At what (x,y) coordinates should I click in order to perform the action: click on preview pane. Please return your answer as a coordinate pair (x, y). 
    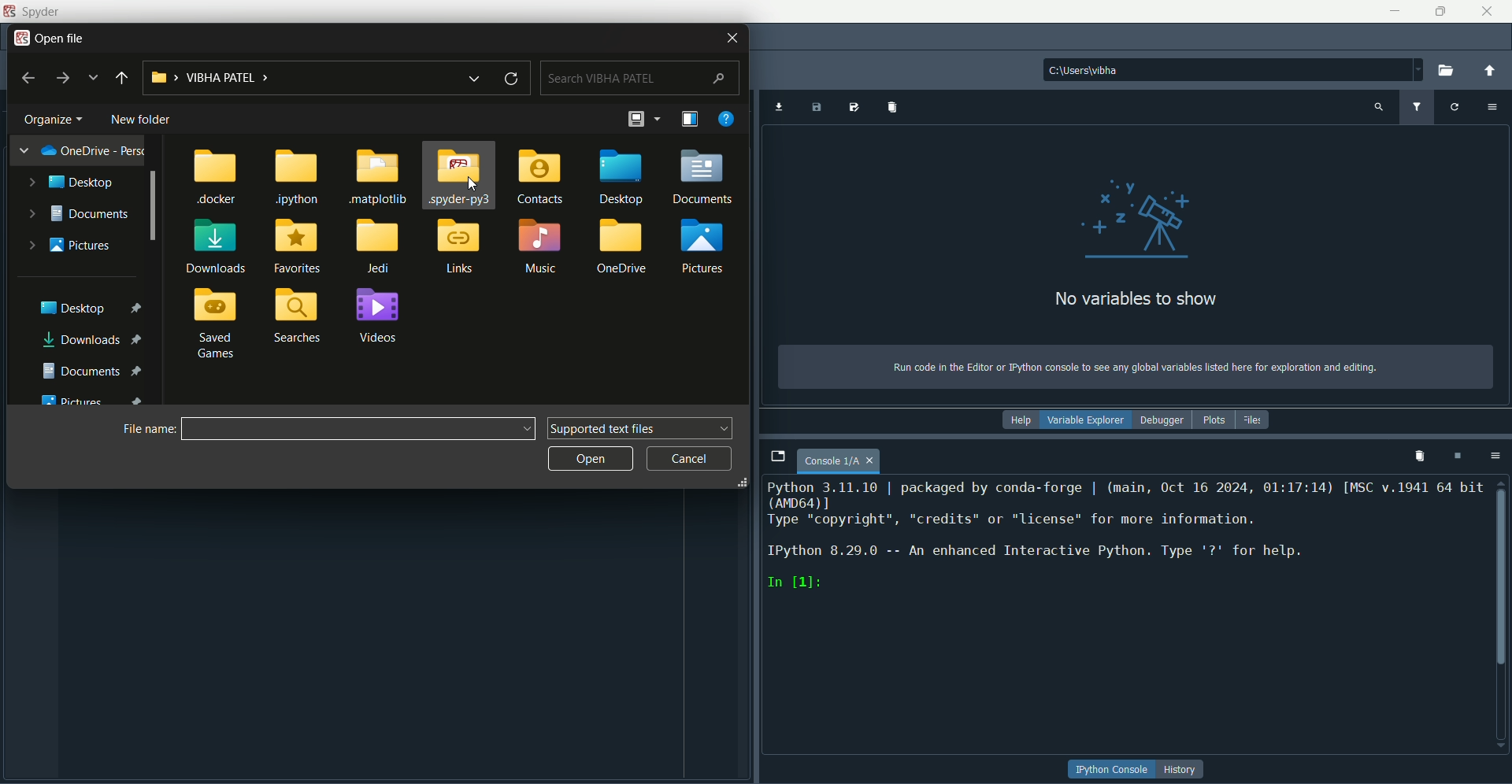
    Looking at the image, I should click on (643, 118).